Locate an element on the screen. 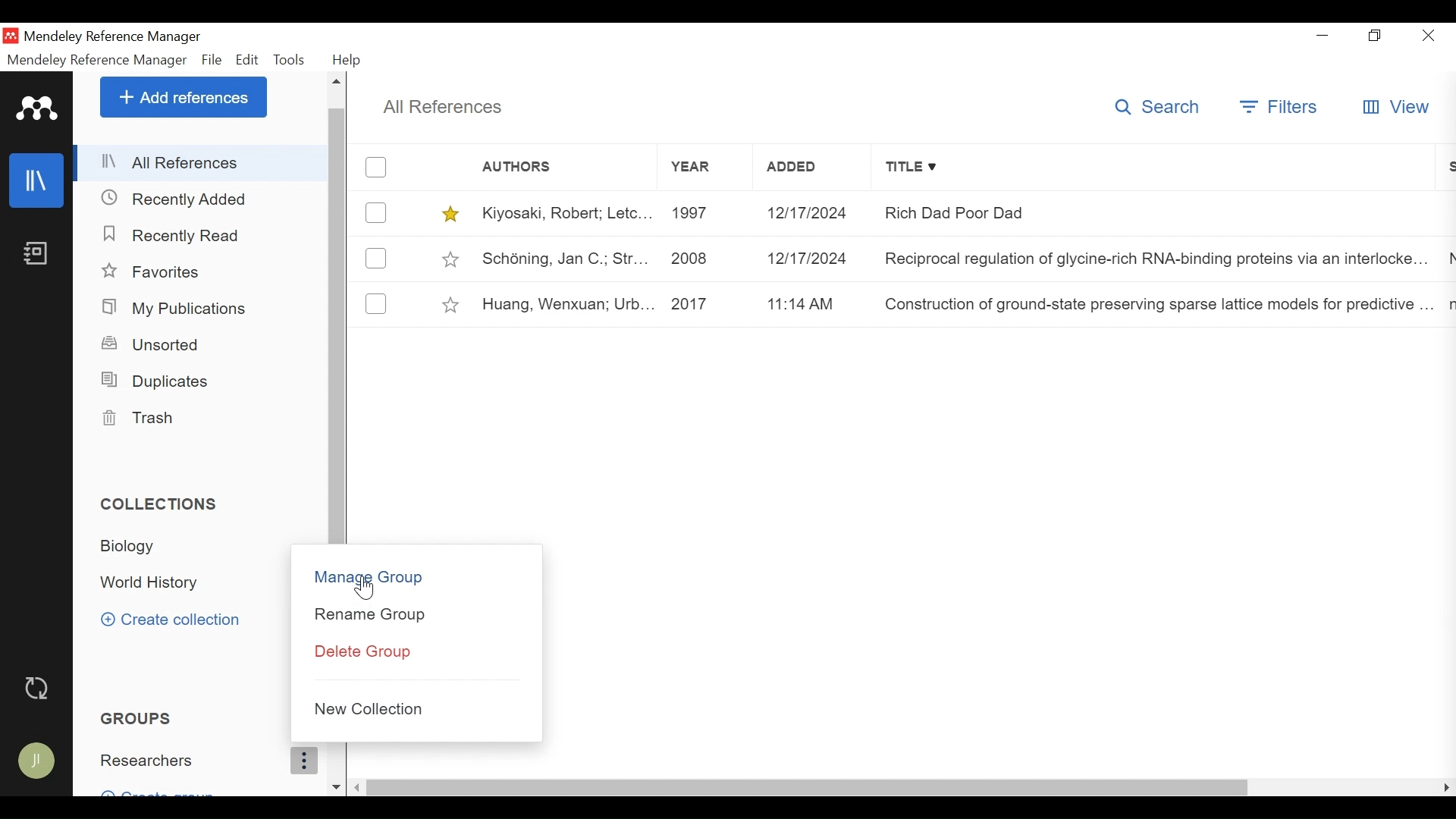  Scroll Left is located at coordinates (1447, 788).